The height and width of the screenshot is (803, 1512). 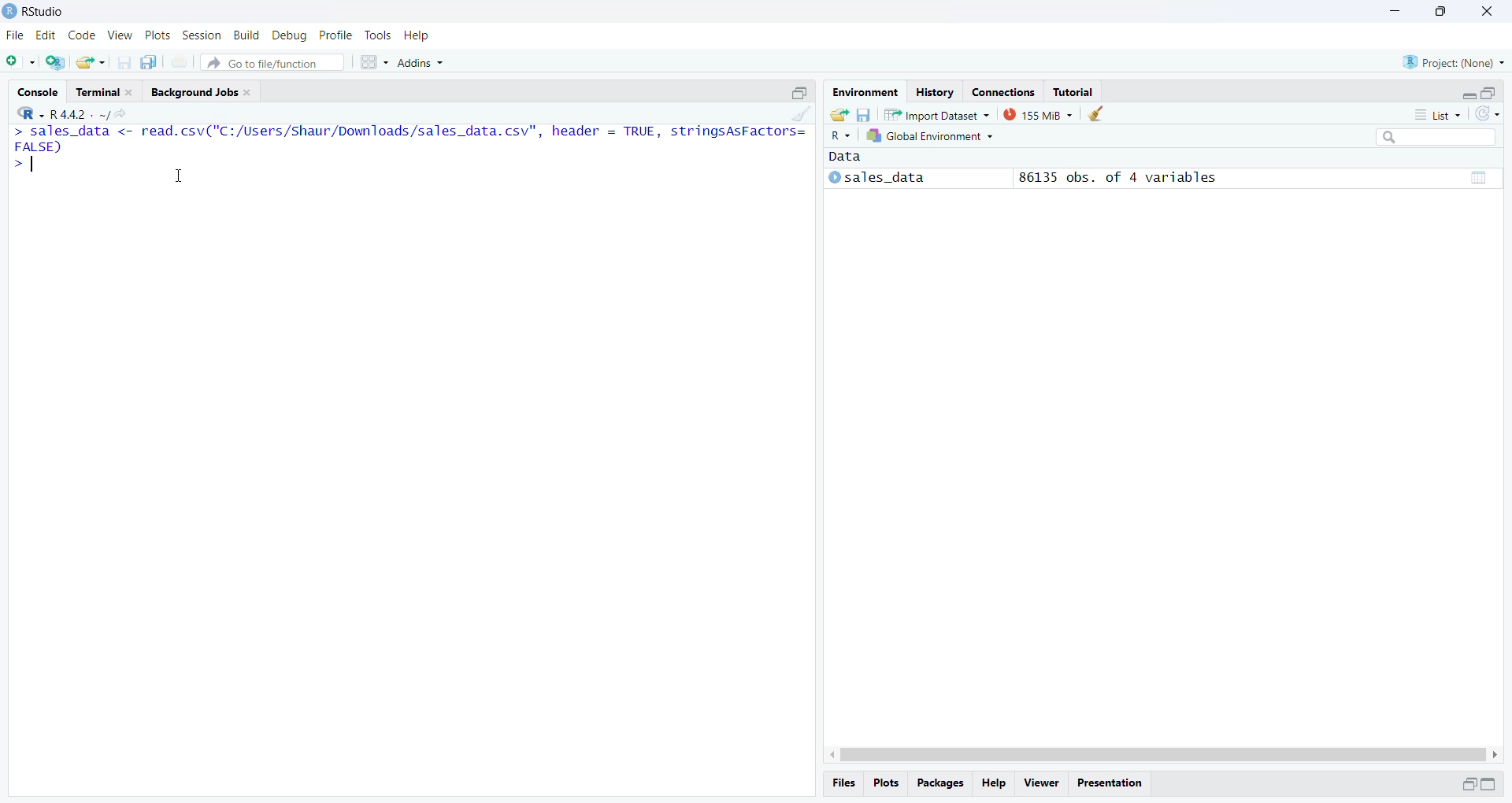 What do you see at coordinates (1043, 782) in the screenshot?
I see `viewer` at bounding box center [1043, 782].